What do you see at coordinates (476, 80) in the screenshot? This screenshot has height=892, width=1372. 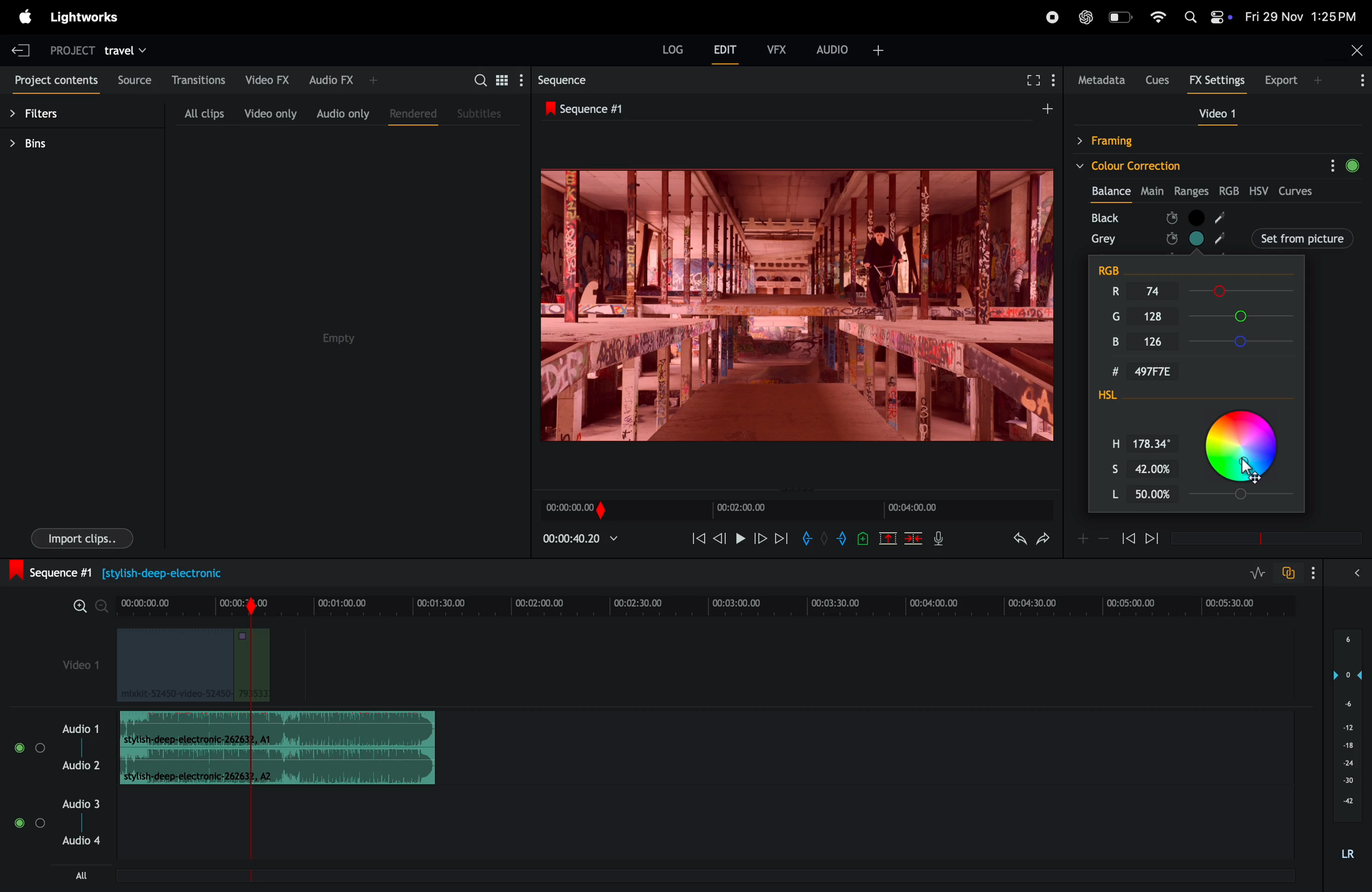 I see `search bar` at bounding box center [476, 80].